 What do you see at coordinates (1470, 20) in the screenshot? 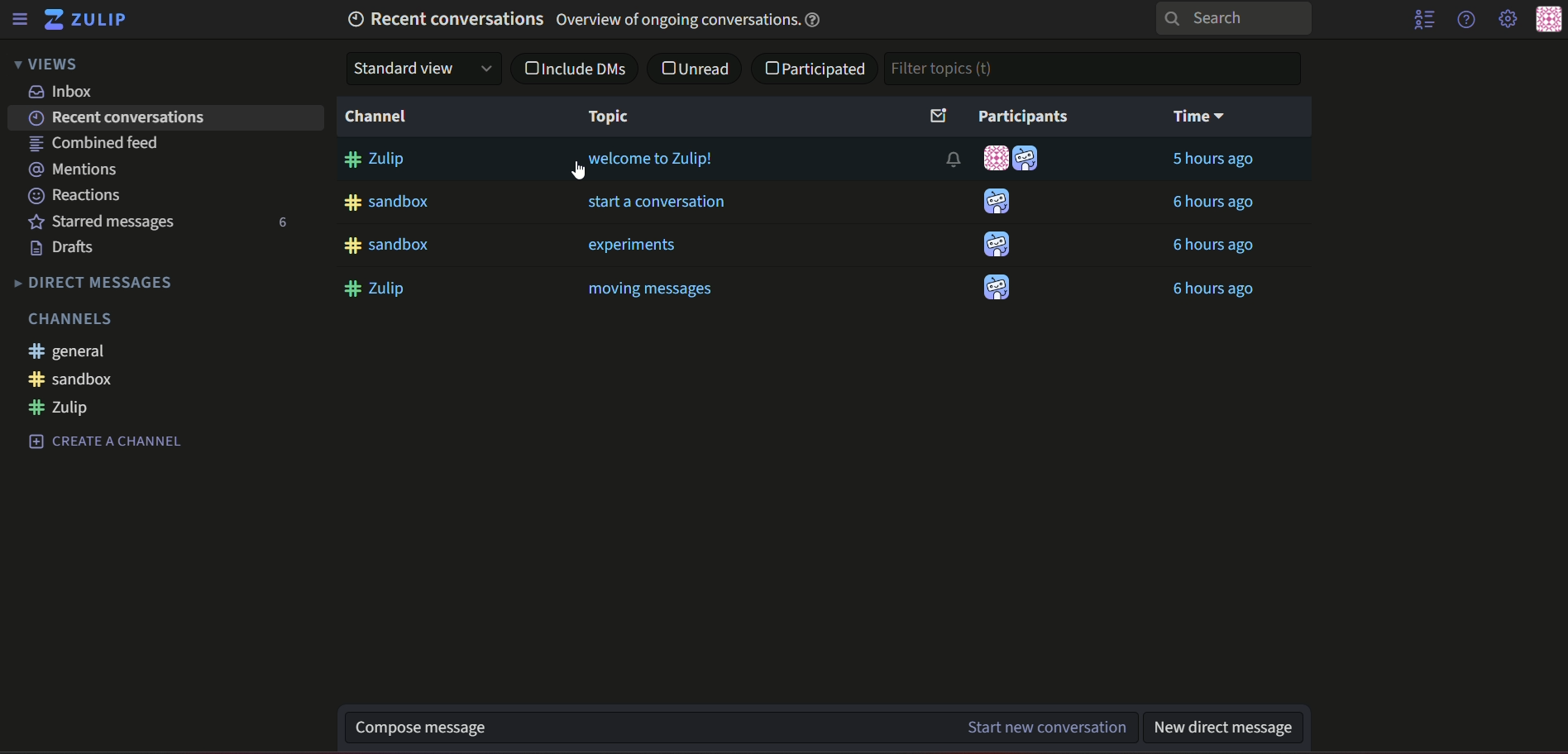
I see `help menu` at bounding box center [1470, 20].